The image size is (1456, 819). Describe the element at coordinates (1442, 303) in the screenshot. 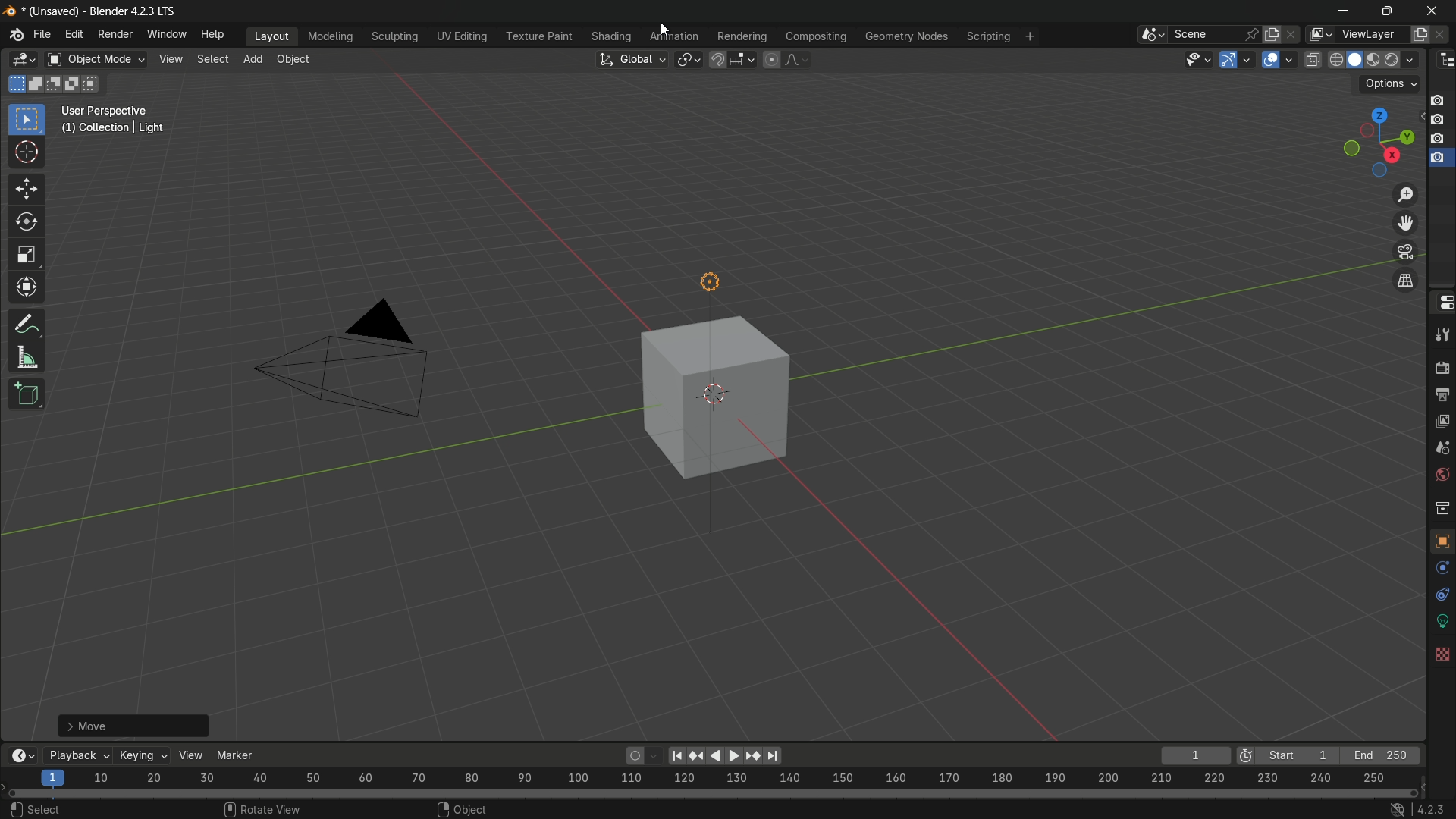

I see `properties` at that location.